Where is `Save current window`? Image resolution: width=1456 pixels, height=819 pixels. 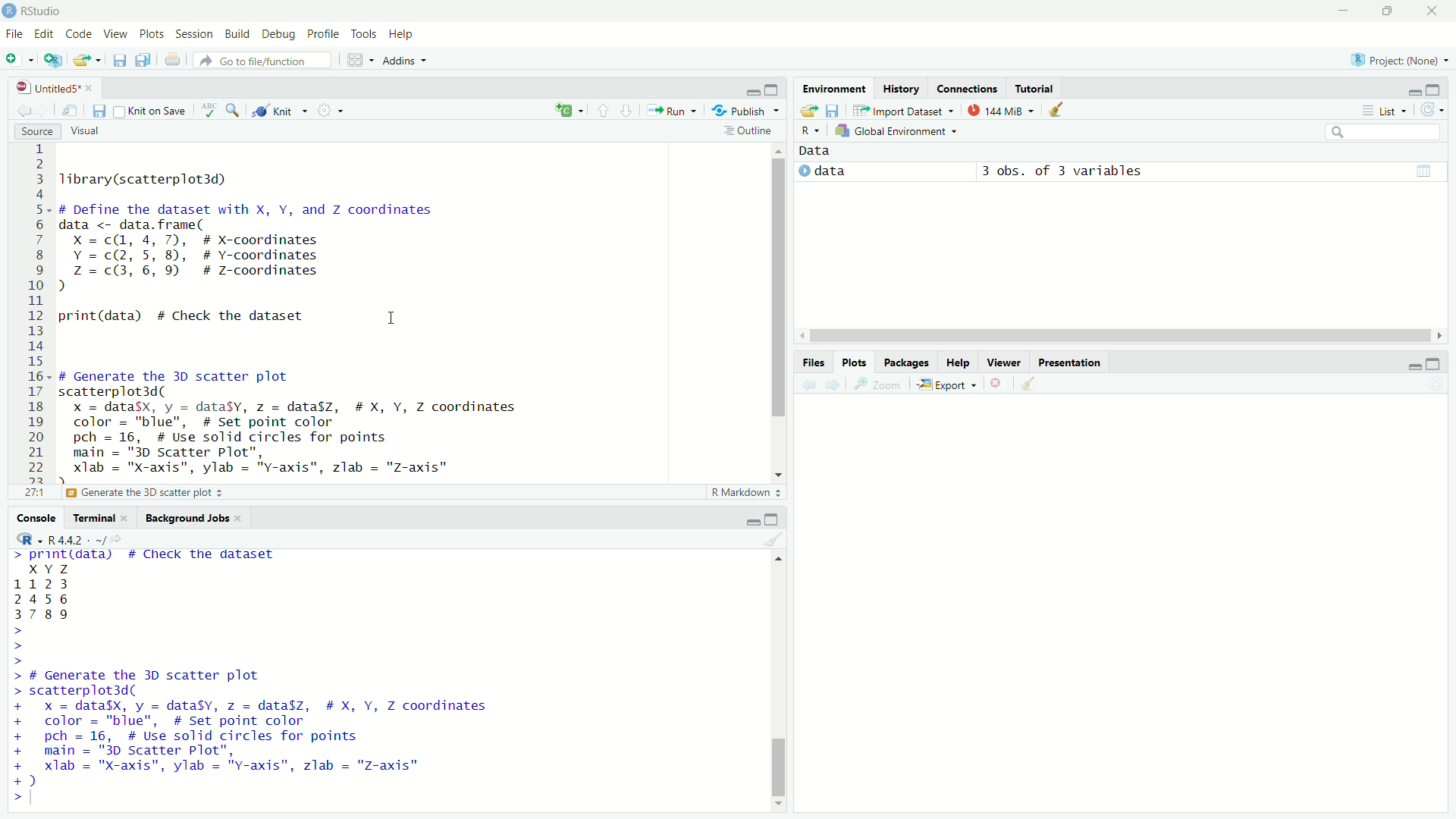 Save current window is located at coordinates (99, 111).